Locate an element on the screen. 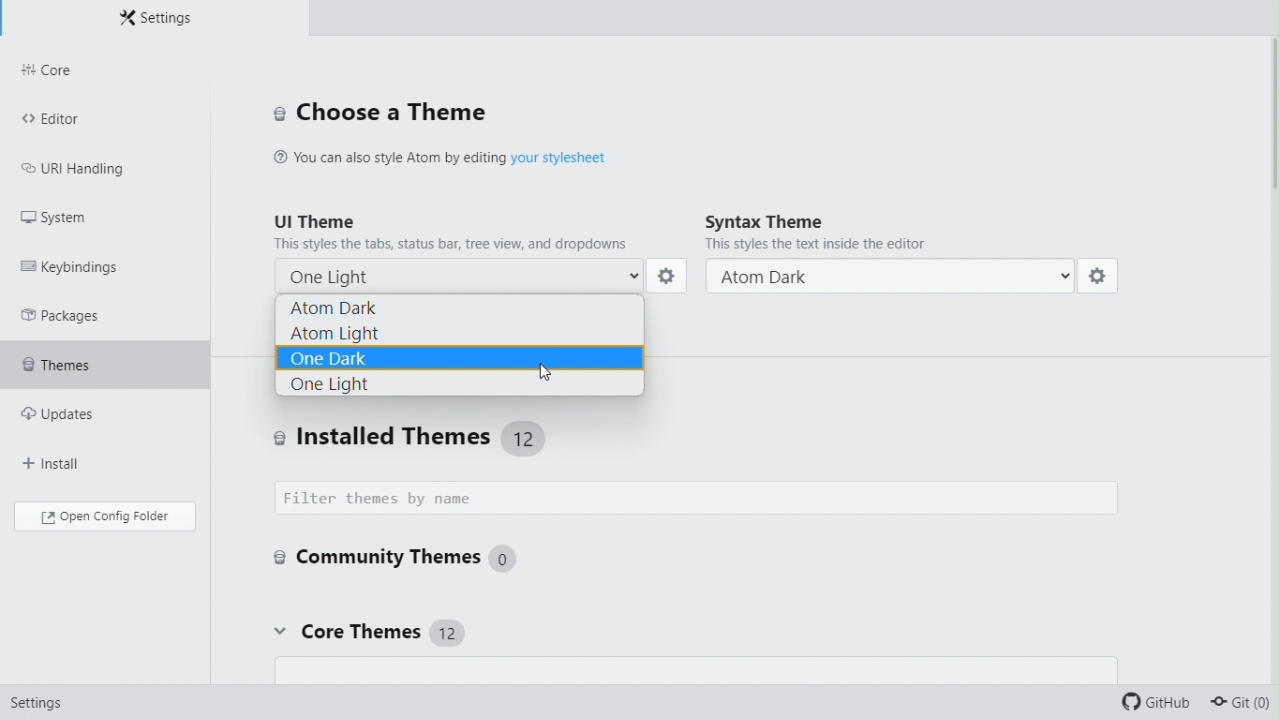 The width and height of the screenshot is (1280, 720). Community themes is located at coordinates (408, 561).